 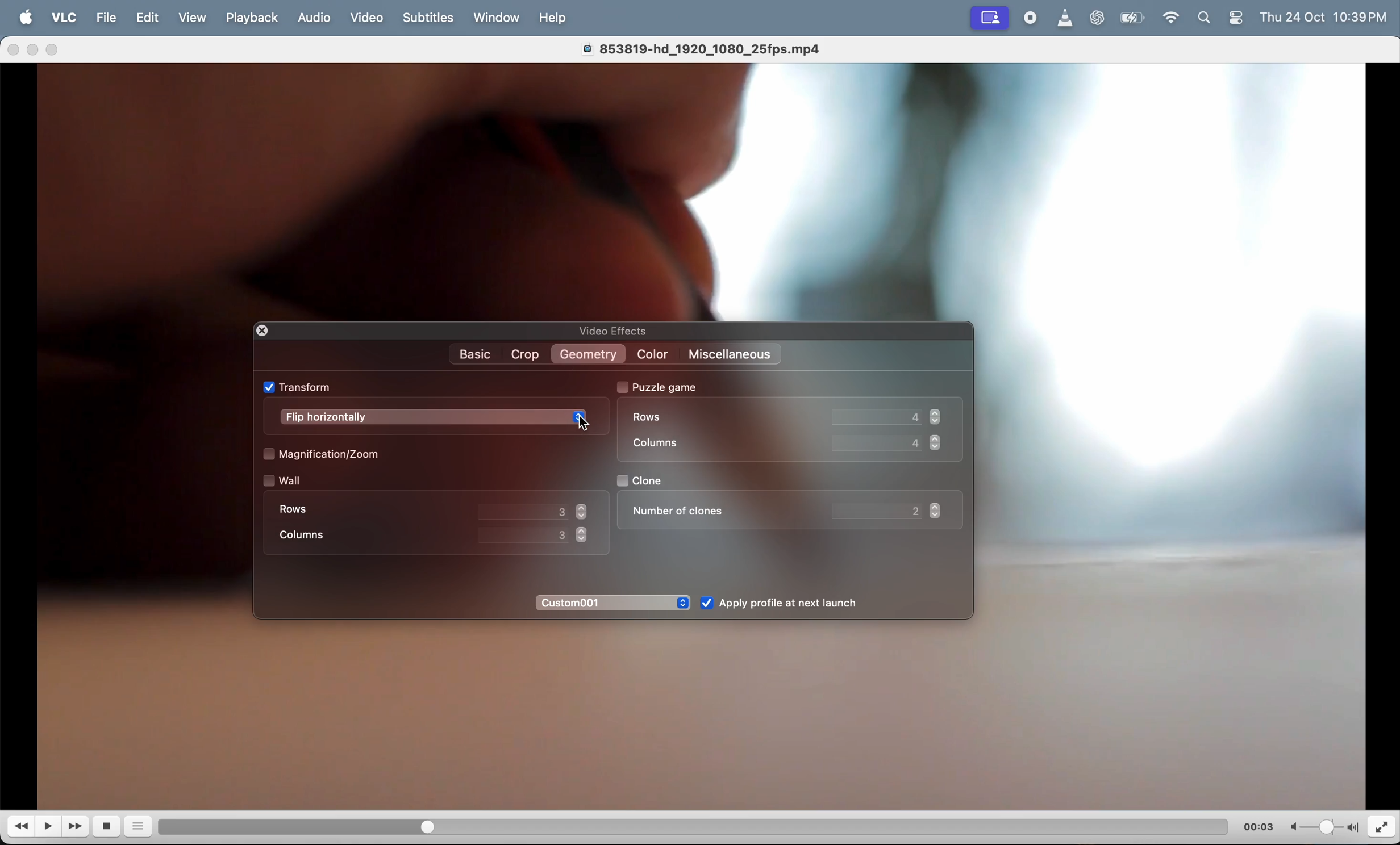 What do you see at coordinates (674, 388) in the screenshot?
I see `puzzle game` at bounding box center [674, 388].